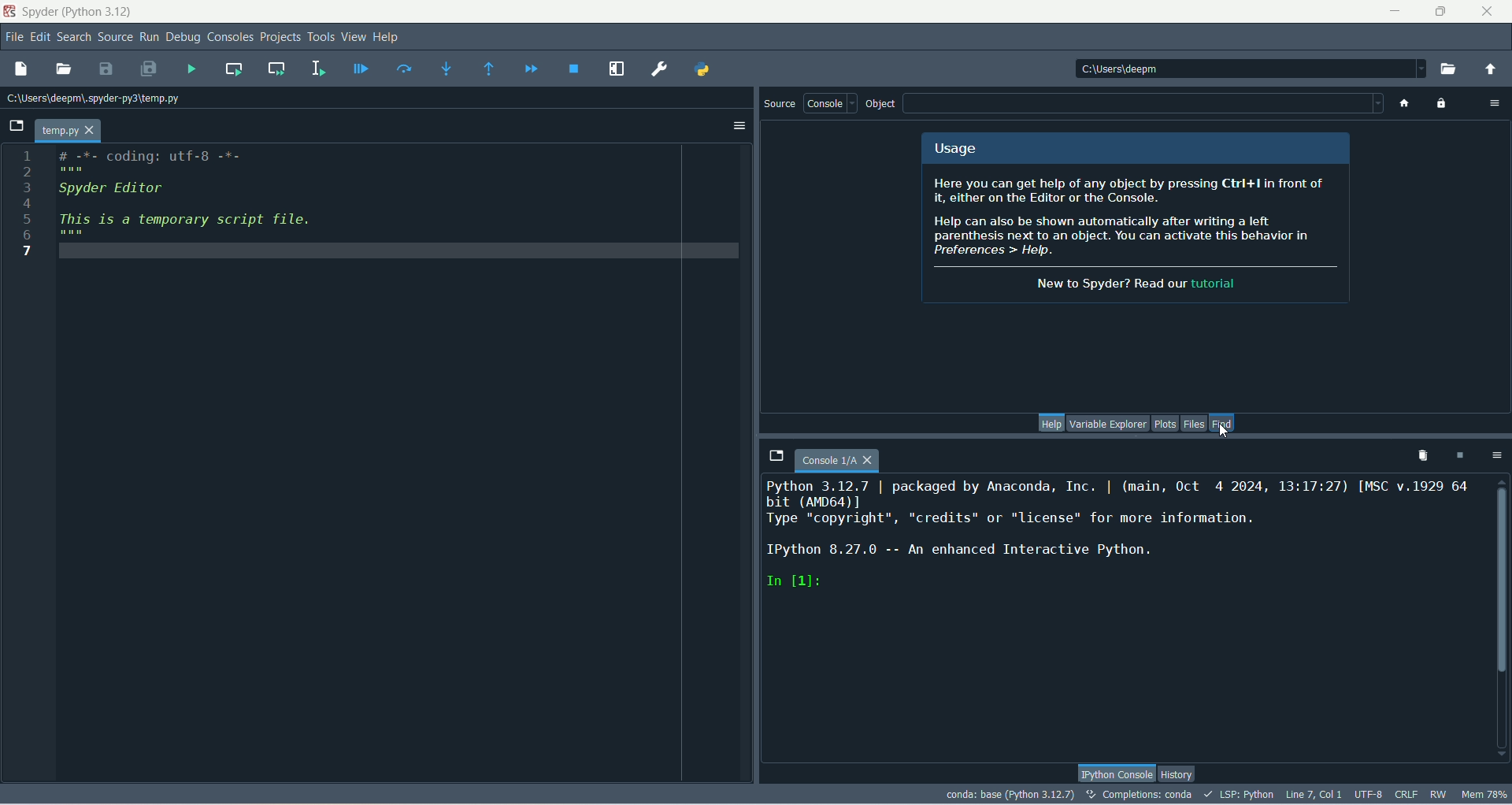 This screenshot has height=805, width=1512. Describe the element at coordinates (701, 69) in the screenshot. I see `PYTHONPATH MANAGER` at that location.